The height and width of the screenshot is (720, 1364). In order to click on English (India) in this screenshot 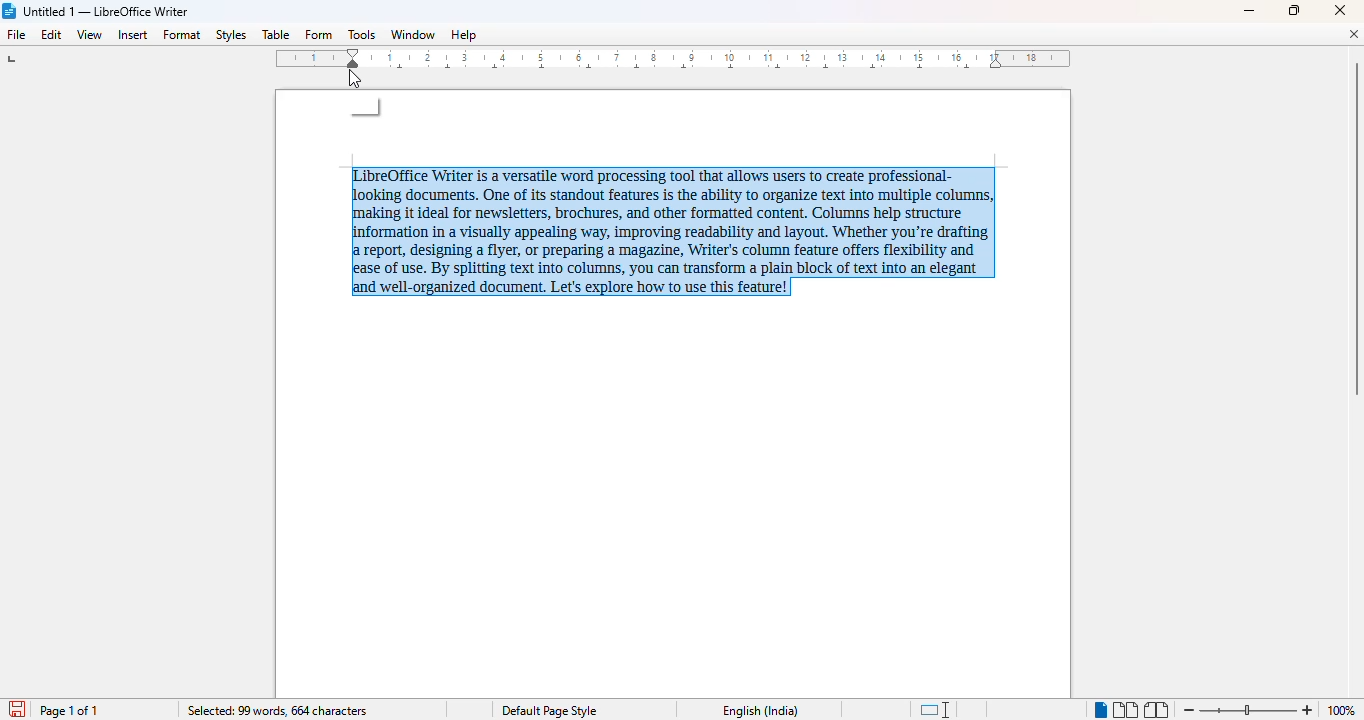, I will do `click(766, 711)`.